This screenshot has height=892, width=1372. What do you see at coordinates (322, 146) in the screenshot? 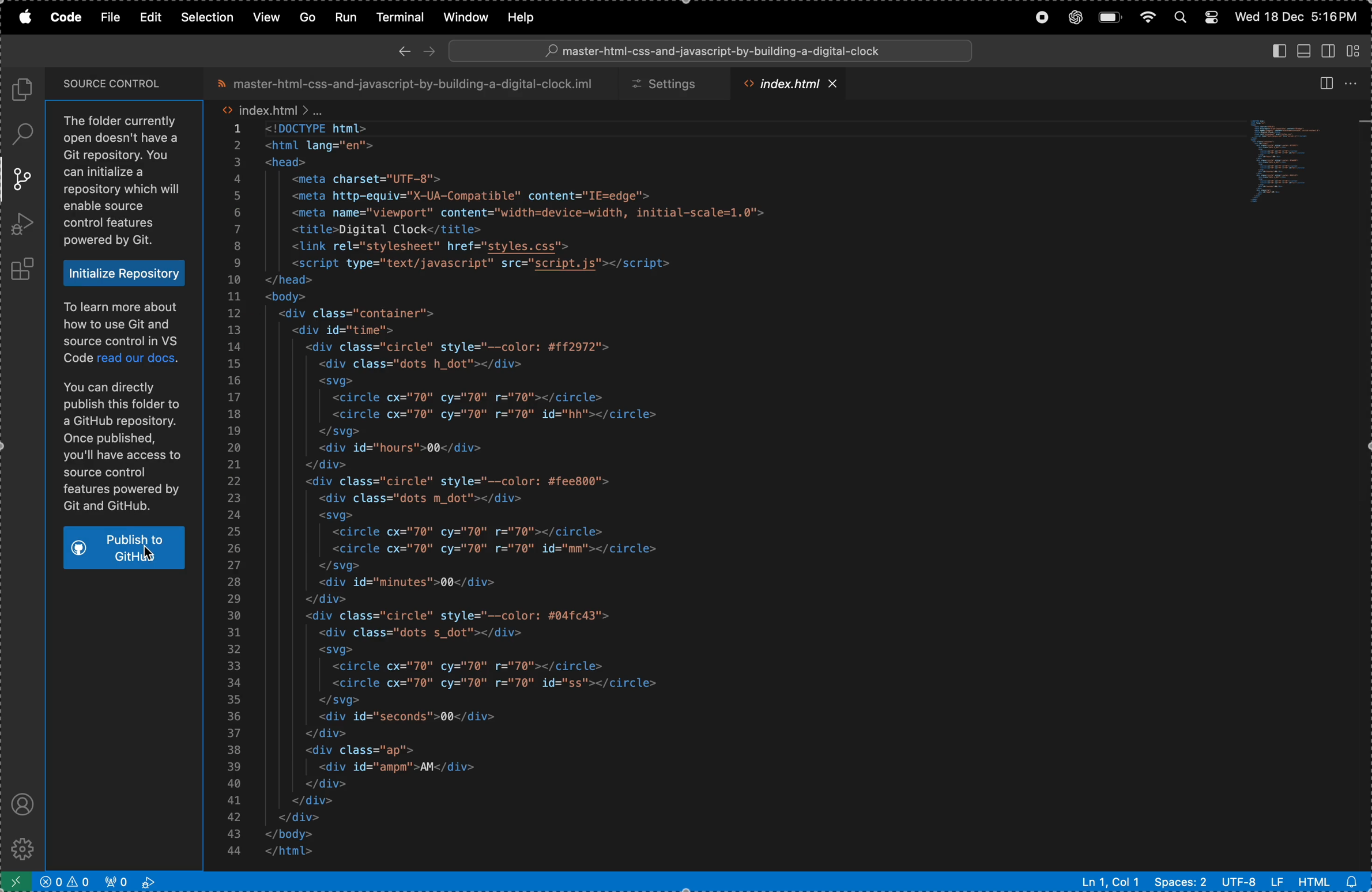
I see `<html lang="en">` at bounding box center [322, 146].